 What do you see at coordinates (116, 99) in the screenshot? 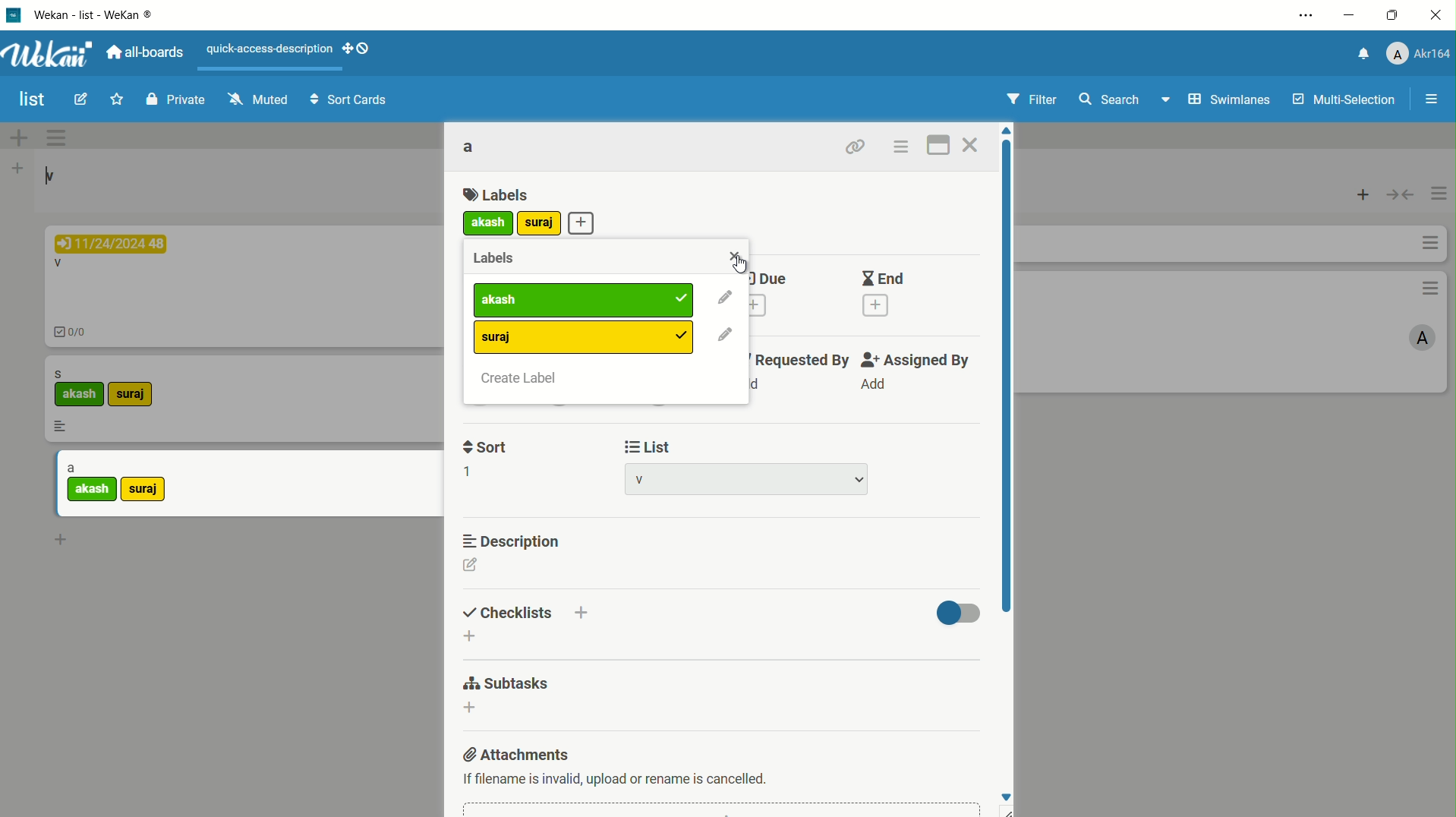
I see `star` at bounding box center [116, 99].